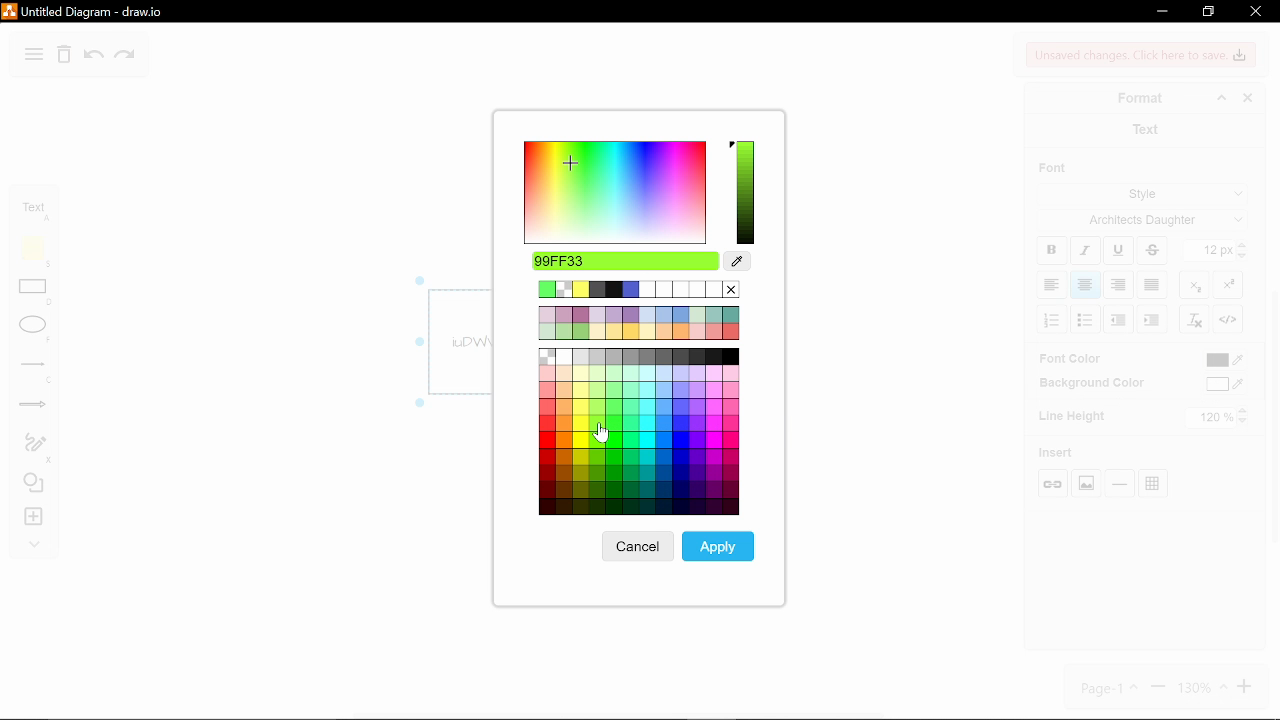  Describe the element at coordinates (1086, 284) in the screenshot. I see `align center` at that location.